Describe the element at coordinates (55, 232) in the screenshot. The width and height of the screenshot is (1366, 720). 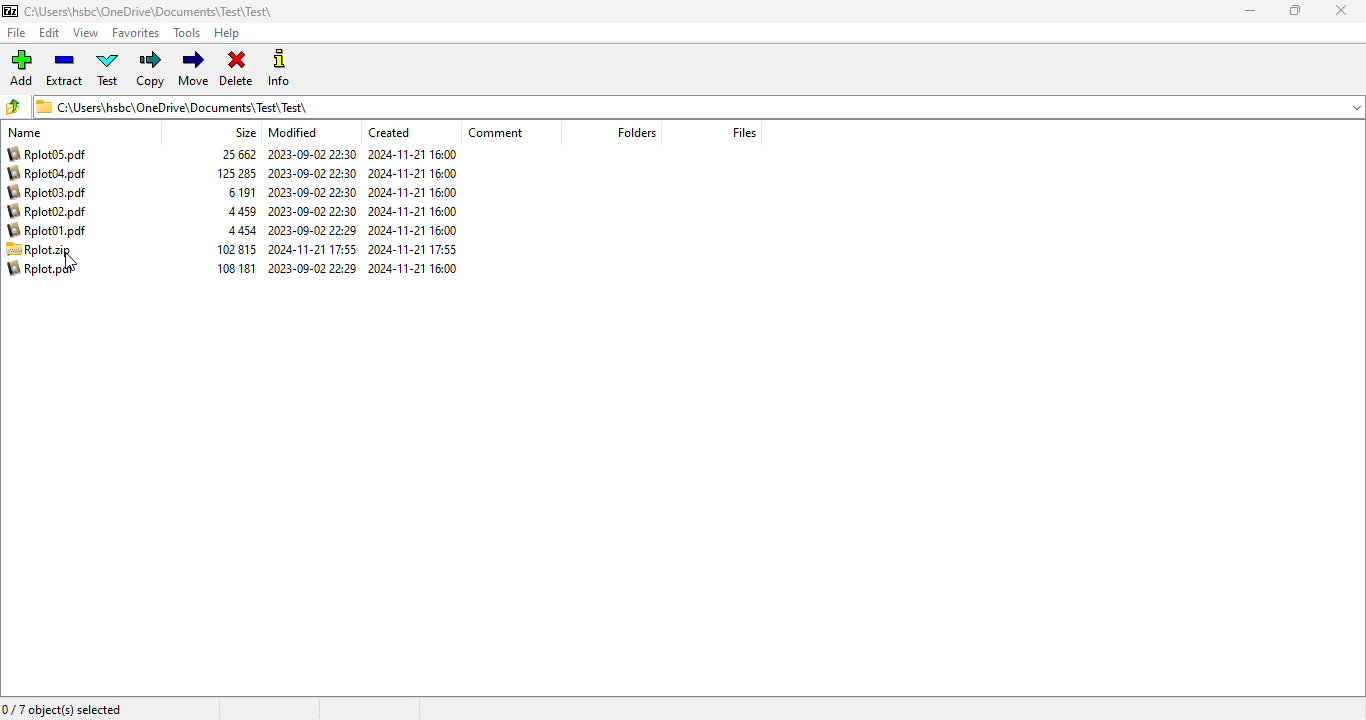
I see `Rplot01.pdf ` at that location.